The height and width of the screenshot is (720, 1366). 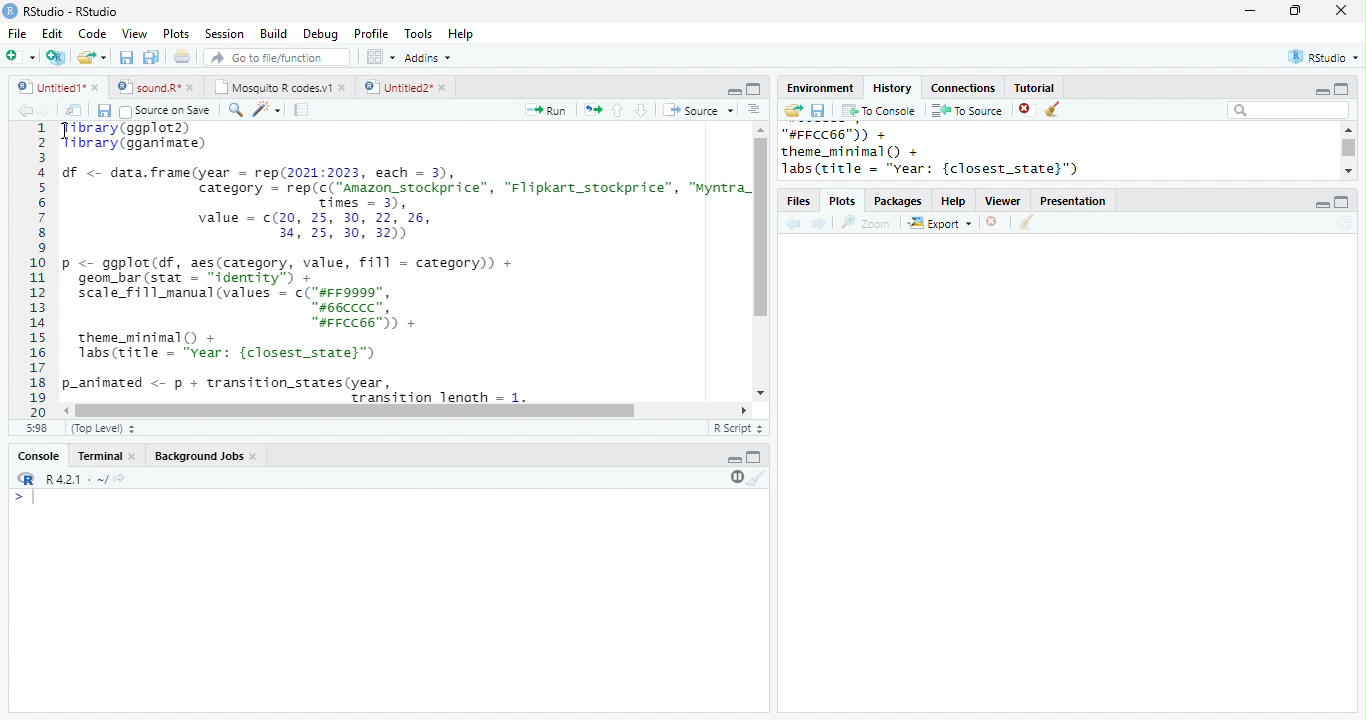 I want to click on options, so click(x=379, y=57).